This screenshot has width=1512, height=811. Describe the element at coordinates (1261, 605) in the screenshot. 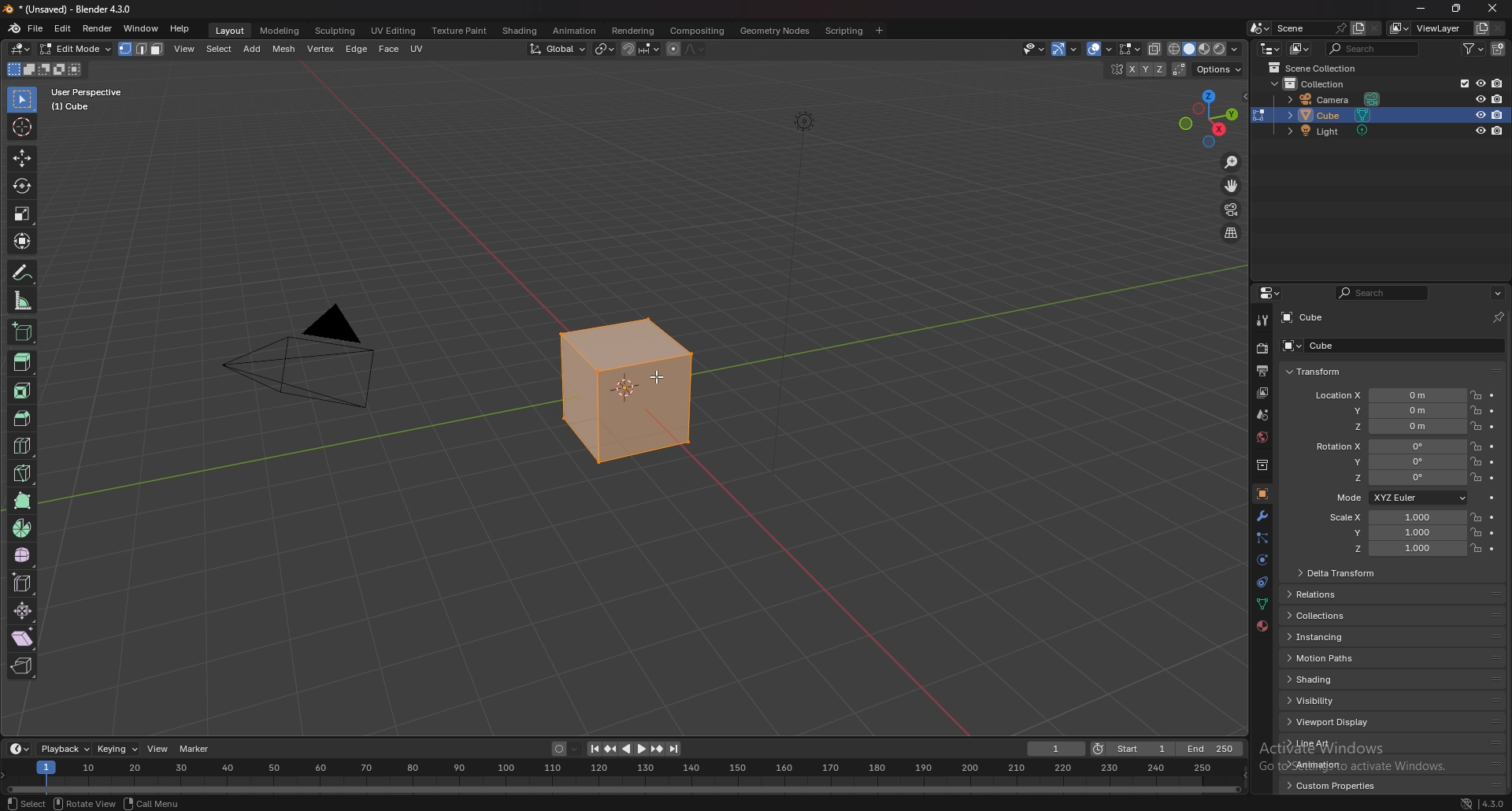

I see `data` at that location.